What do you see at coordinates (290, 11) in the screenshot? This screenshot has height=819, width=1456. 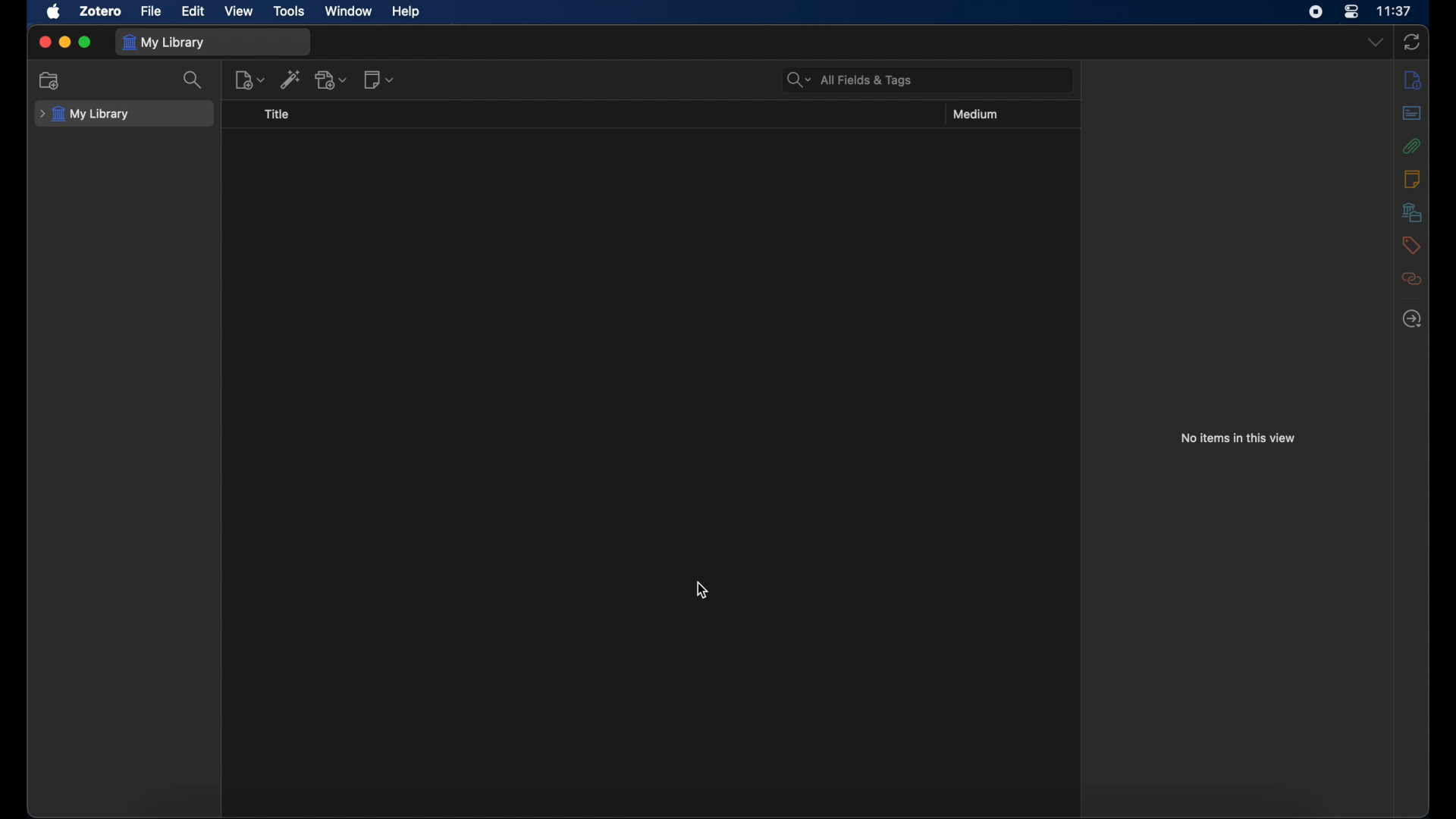 I see `tools` at bounding box center [290, 11].